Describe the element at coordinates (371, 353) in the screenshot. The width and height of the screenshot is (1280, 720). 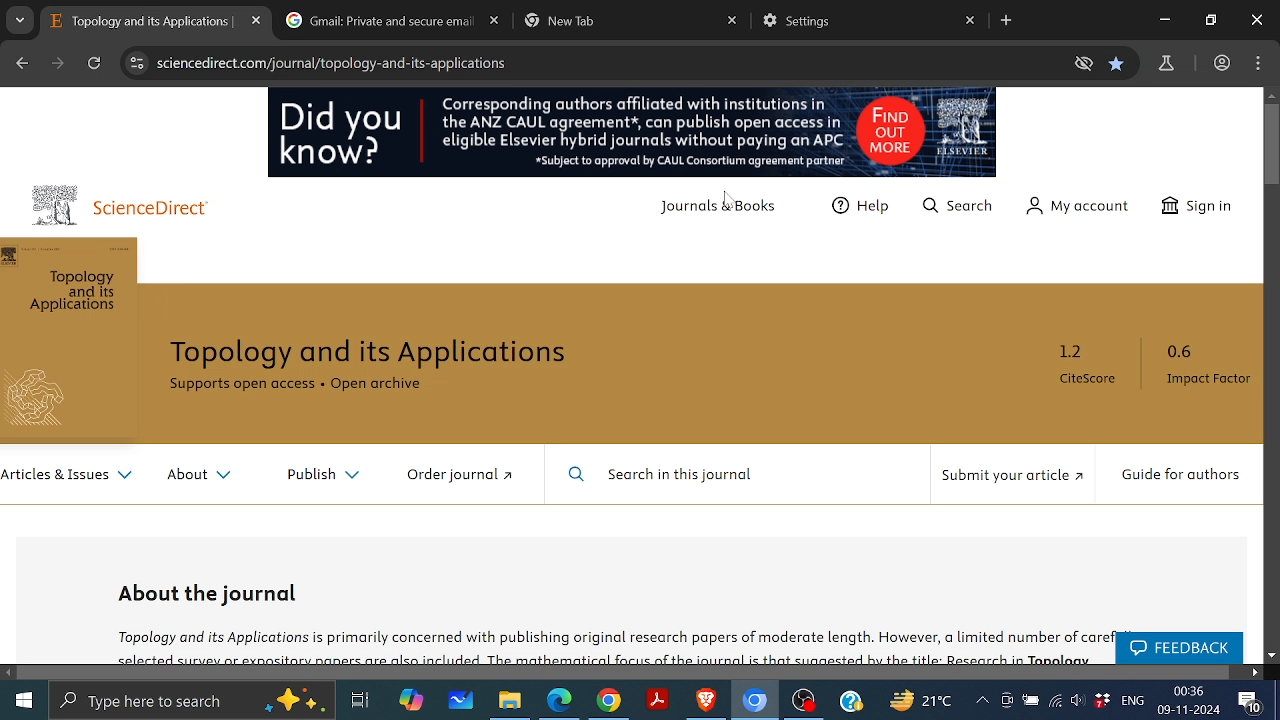
I see `Topology and its Applications` at that location.